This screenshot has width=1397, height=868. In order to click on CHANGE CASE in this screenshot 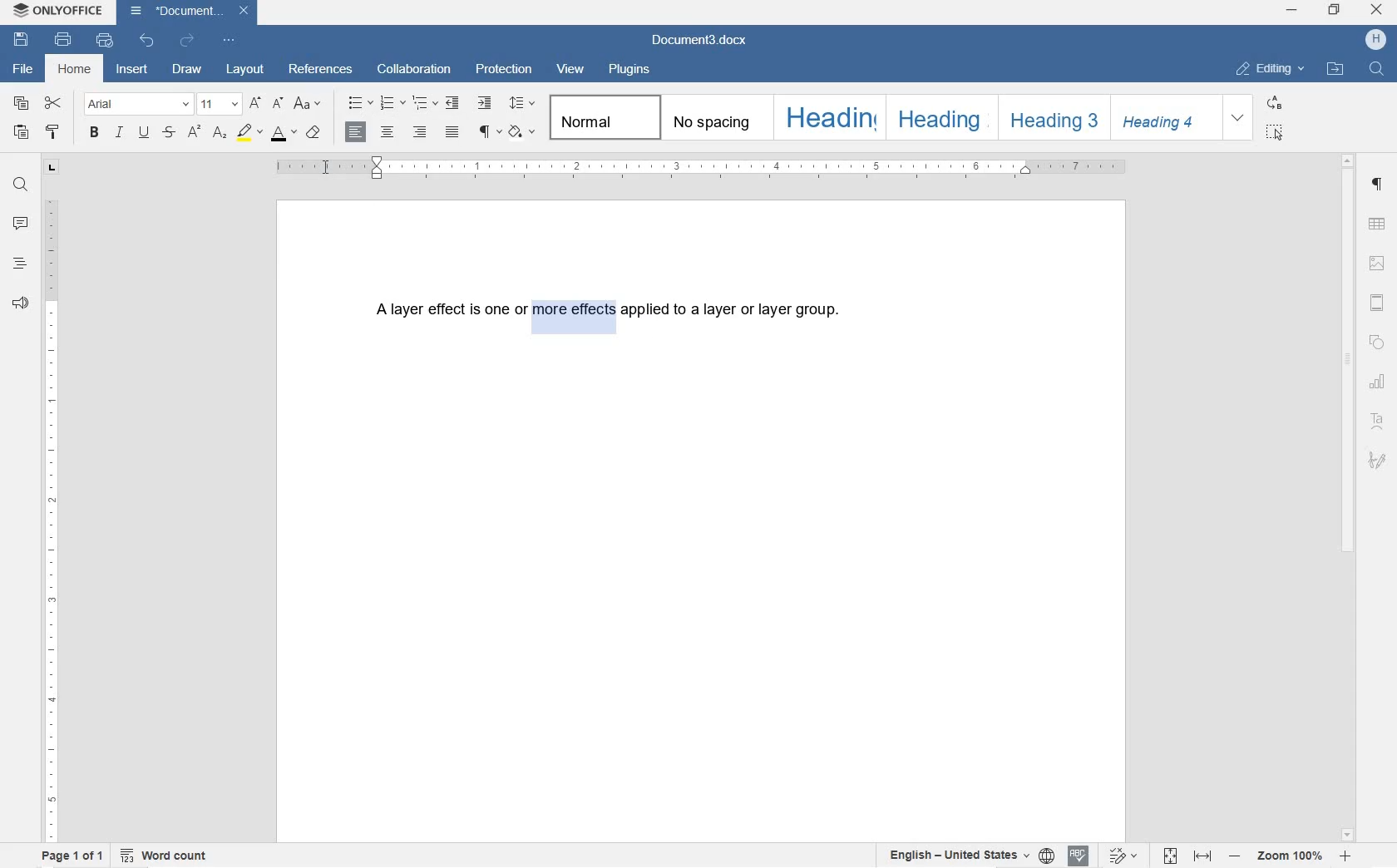, I will do `click(309, 104)`.